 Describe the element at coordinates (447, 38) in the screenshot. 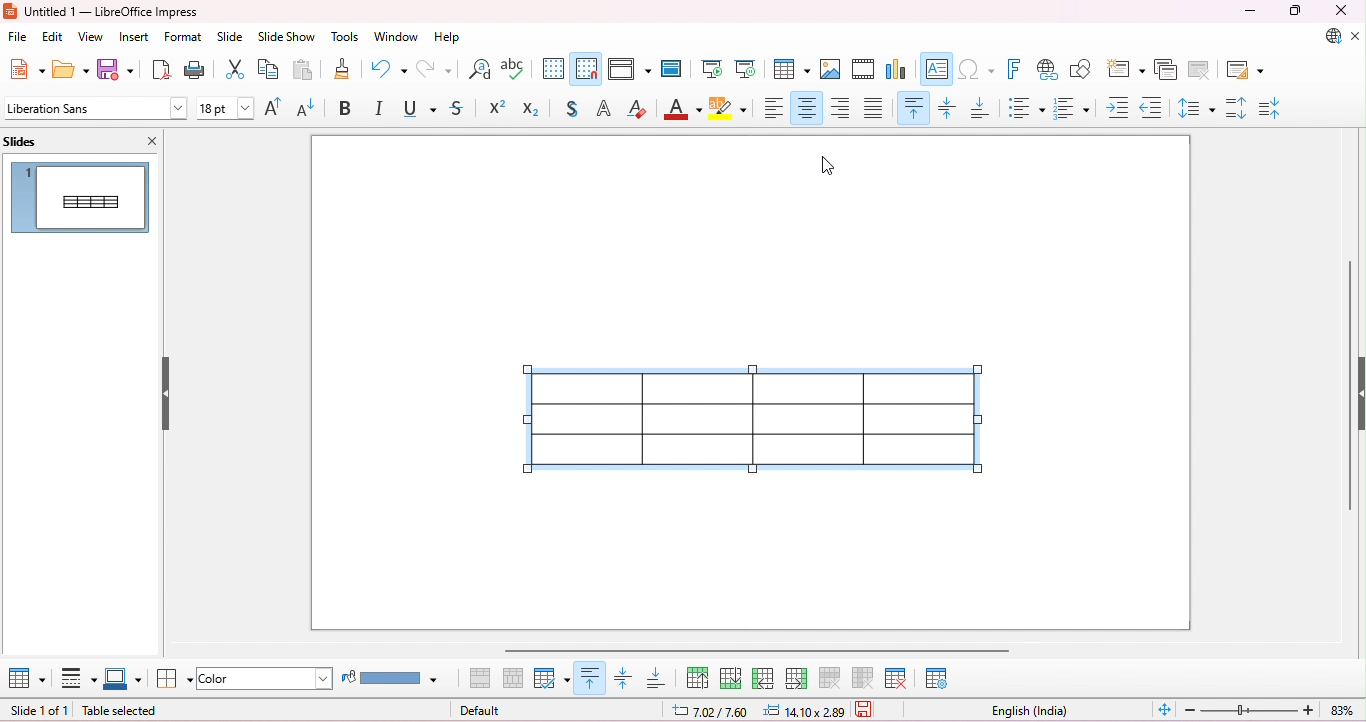

I see `help` at that location.